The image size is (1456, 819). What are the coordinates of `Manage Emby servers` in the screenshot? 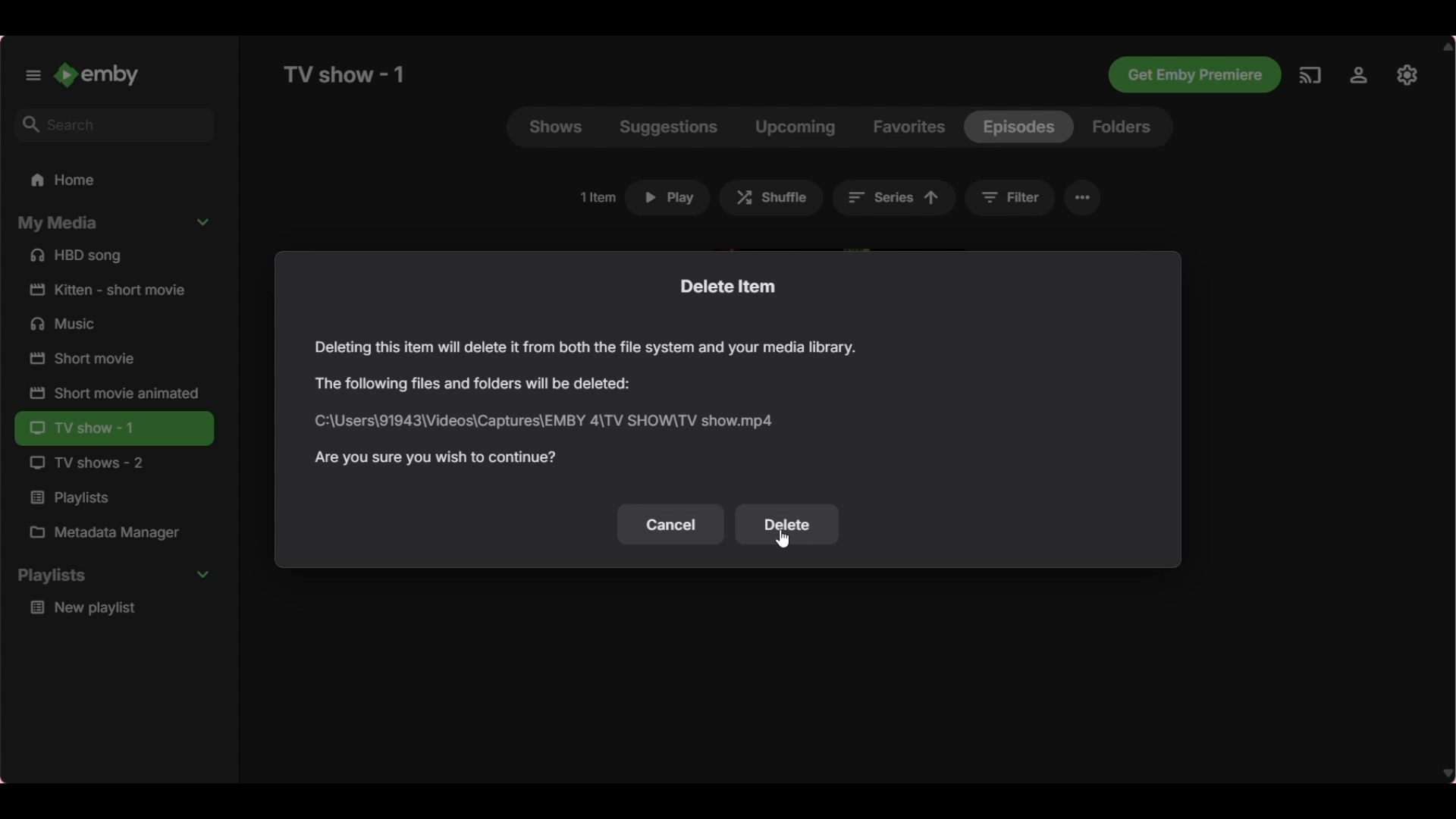 It's located at (1407, 75).